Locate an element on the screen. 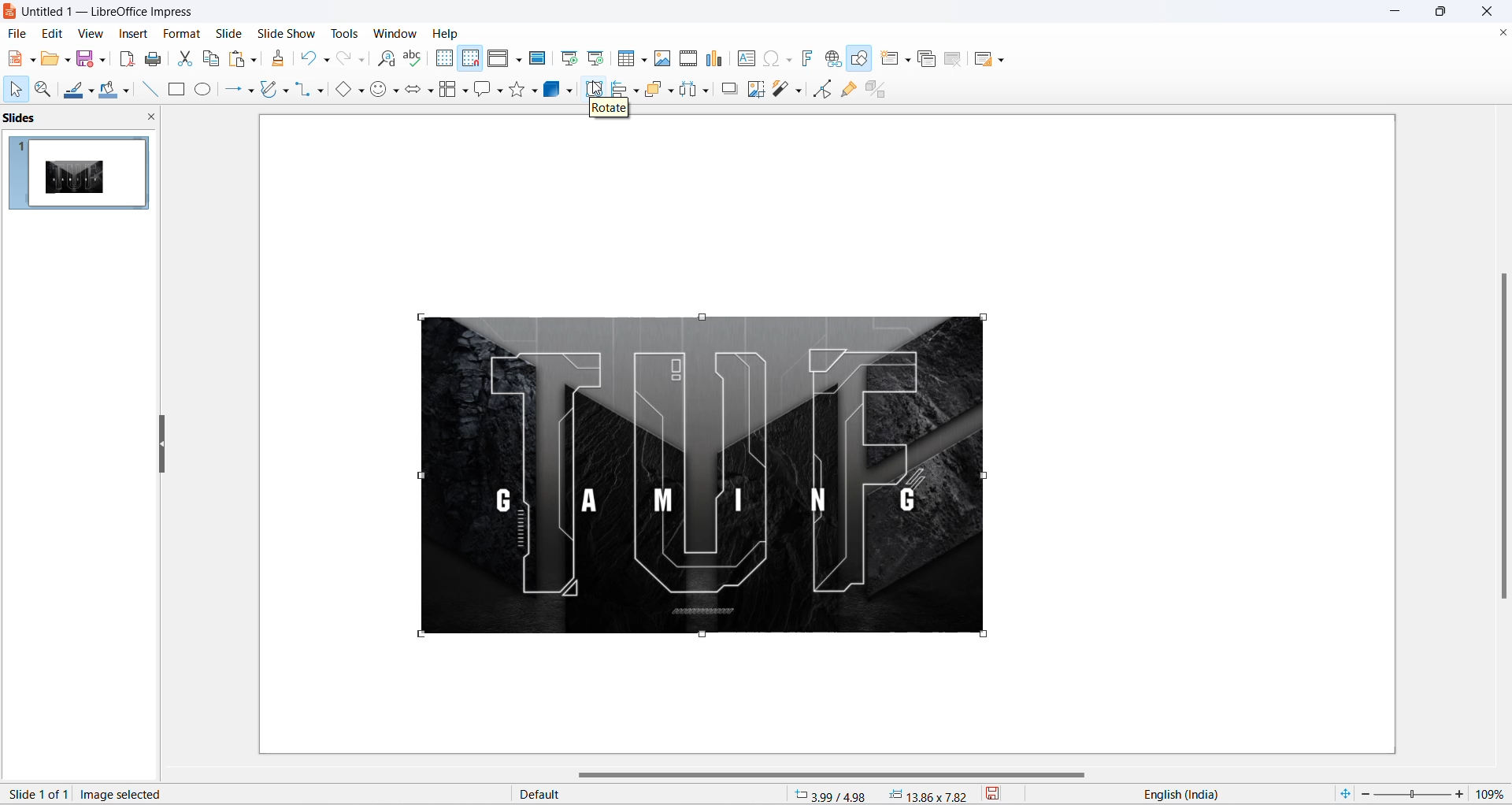  line color is located at coordinates (73, 91).